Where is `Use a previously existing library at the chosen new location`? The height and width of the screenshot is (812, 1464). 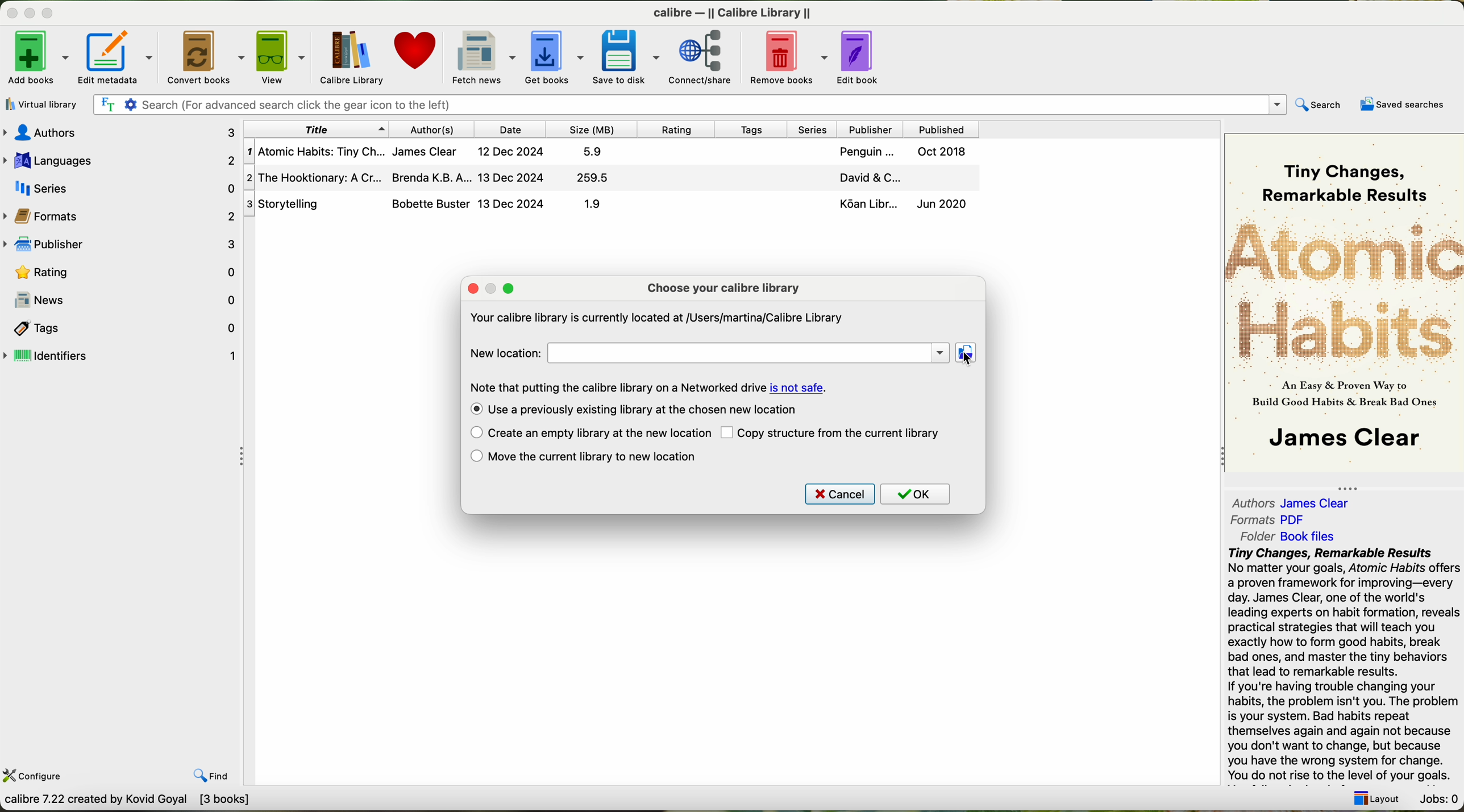 Use a previously existing library at the chosen new location is located at coordinates (646, 410).